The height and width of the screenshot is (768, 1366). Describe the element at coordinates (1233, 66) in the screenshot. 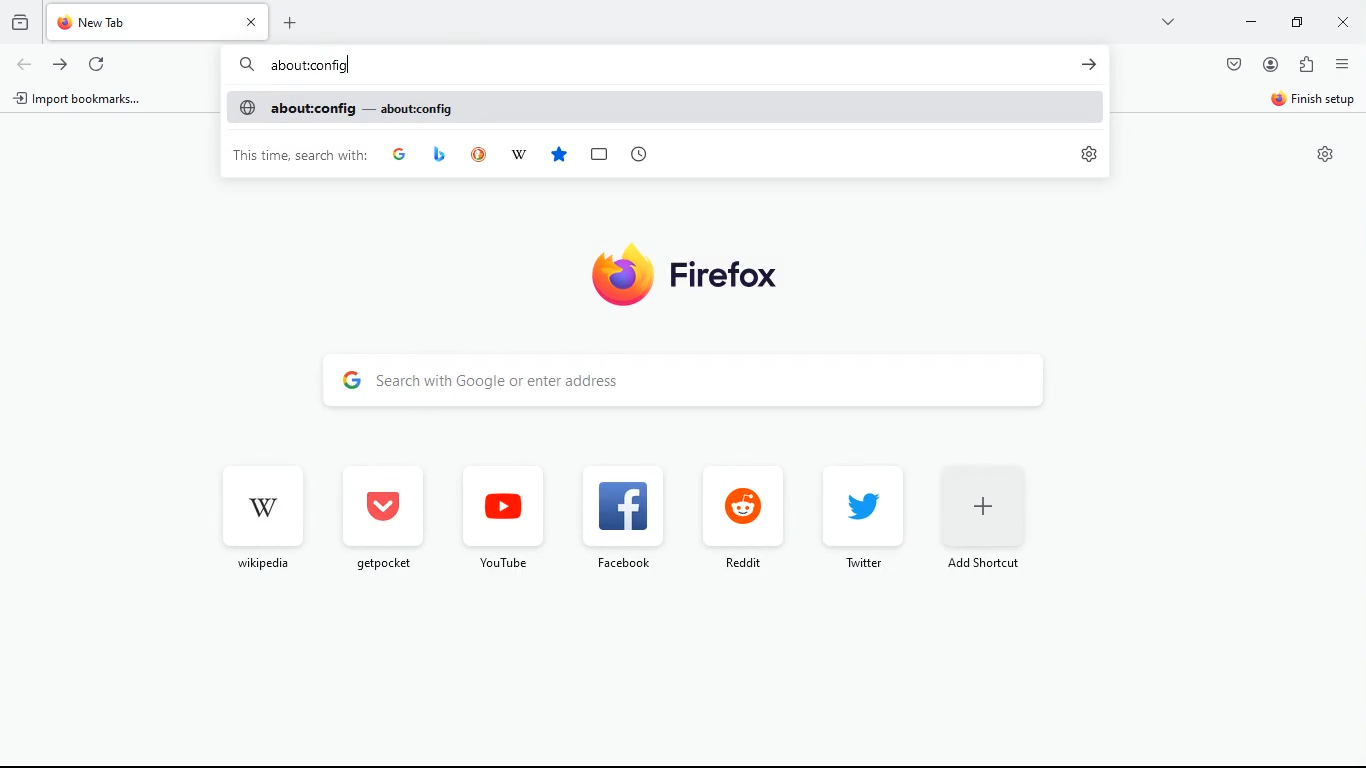

I see `save pocket` at that location.